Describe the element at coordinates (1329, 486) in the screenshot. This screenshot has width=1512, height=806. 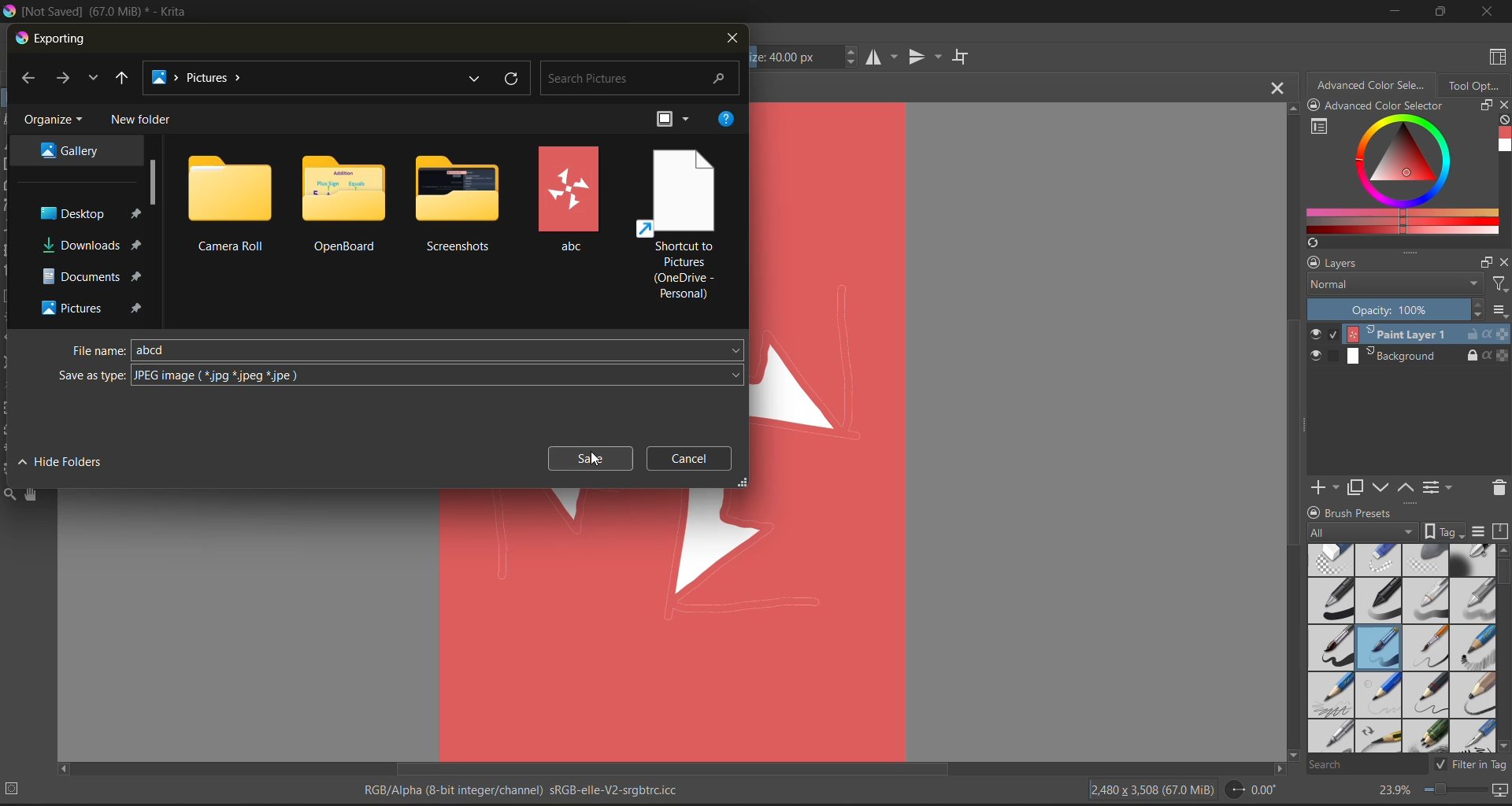
I see `add` at that location.